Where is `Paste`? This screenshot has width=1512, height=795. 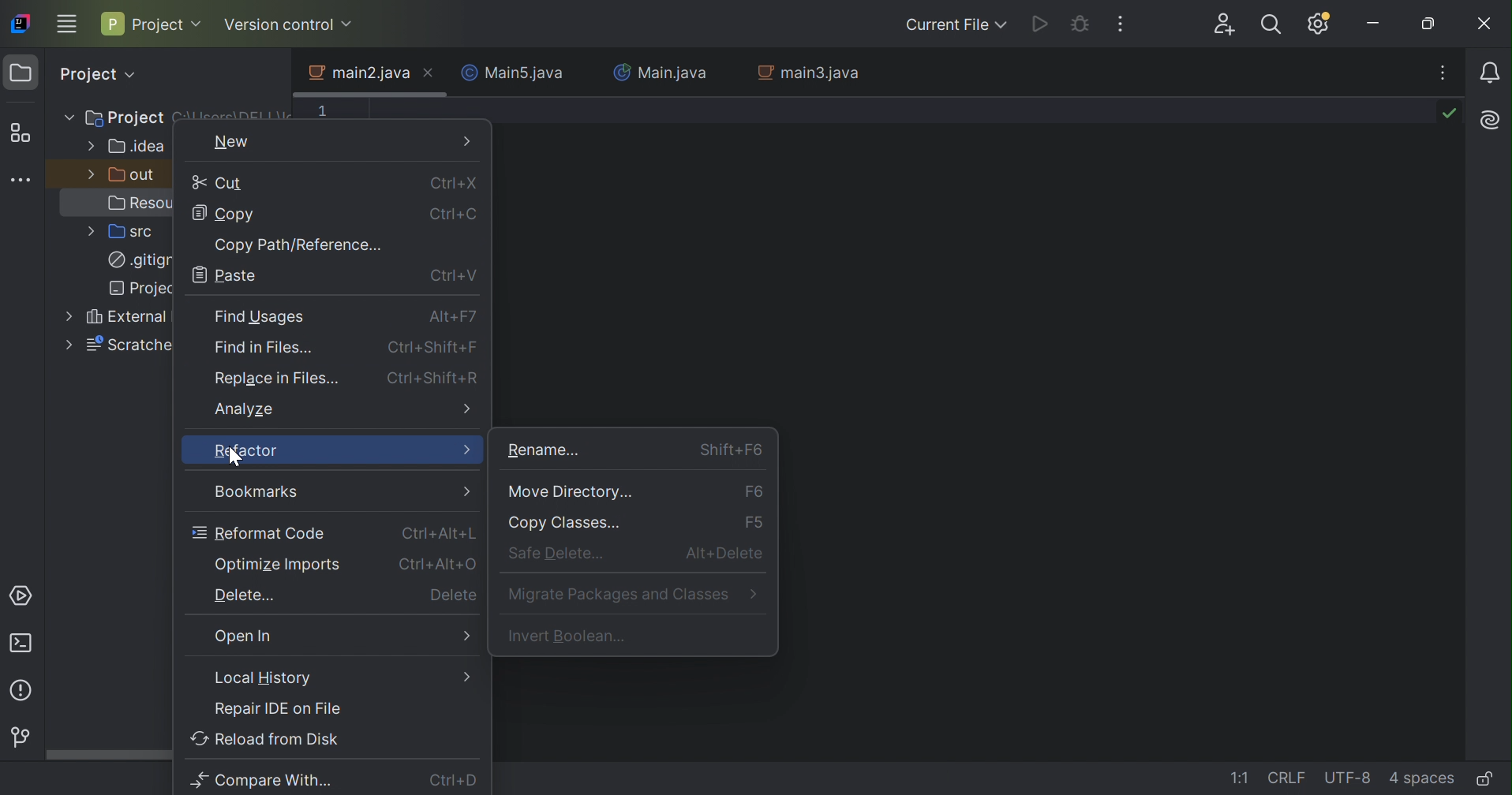
Paste is located at coordinates (225, 277).